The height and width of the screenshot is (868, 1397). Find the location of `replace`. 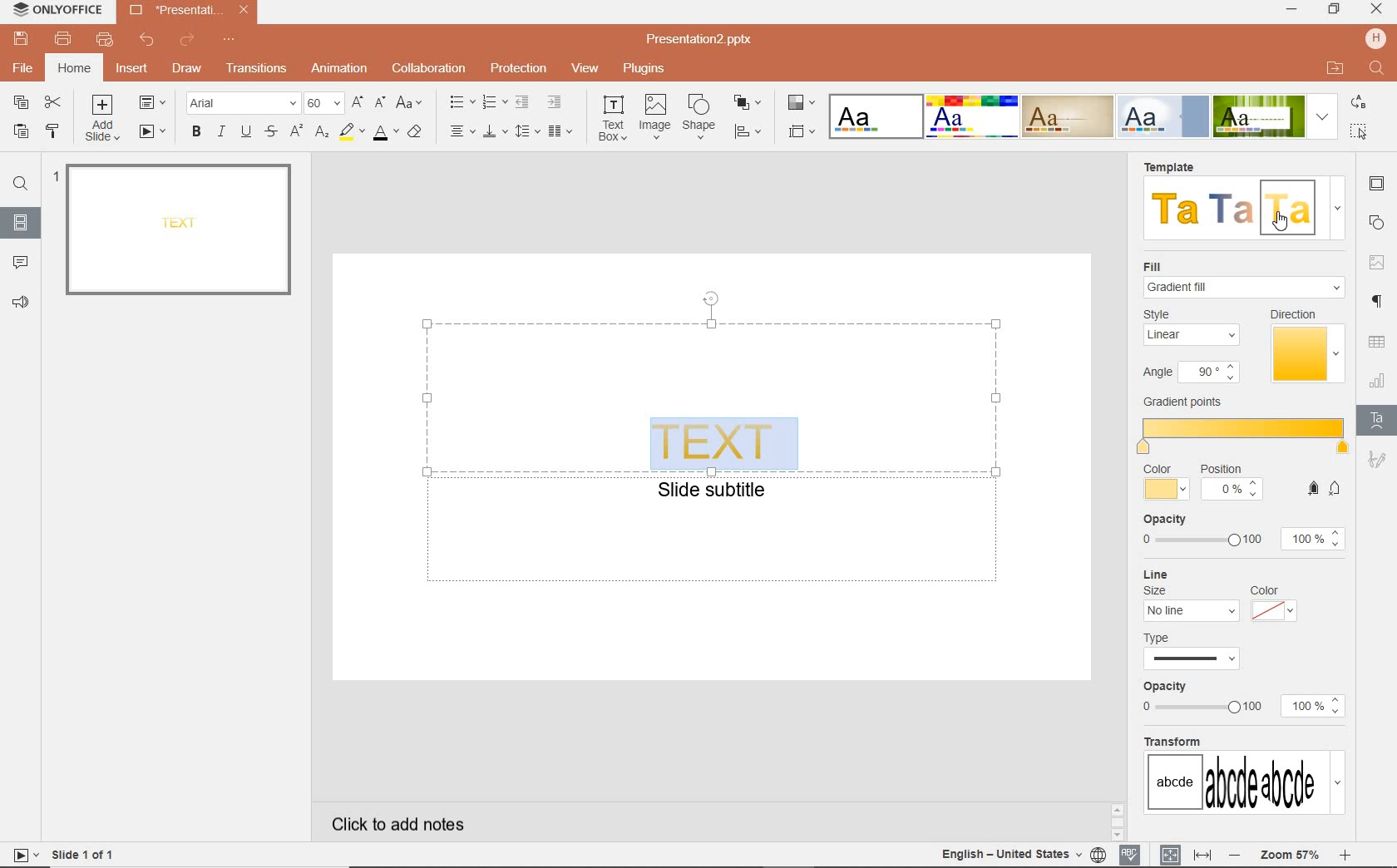

replace is located at coordinates (1360, 104).